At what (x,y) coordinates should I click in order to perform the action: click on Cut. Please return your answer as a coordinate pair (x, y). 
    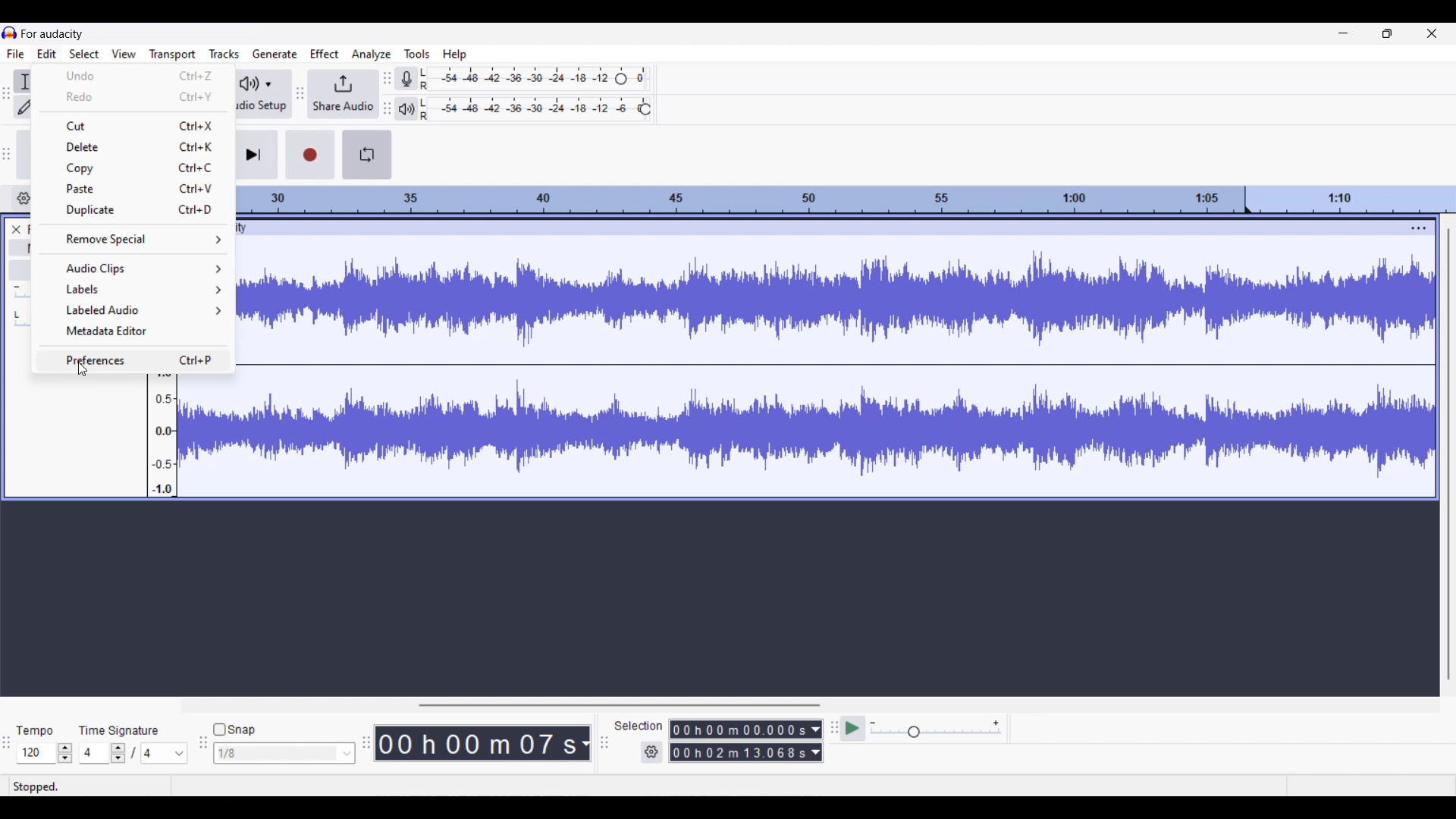
    Looking at the image, I should click on (134, 124).